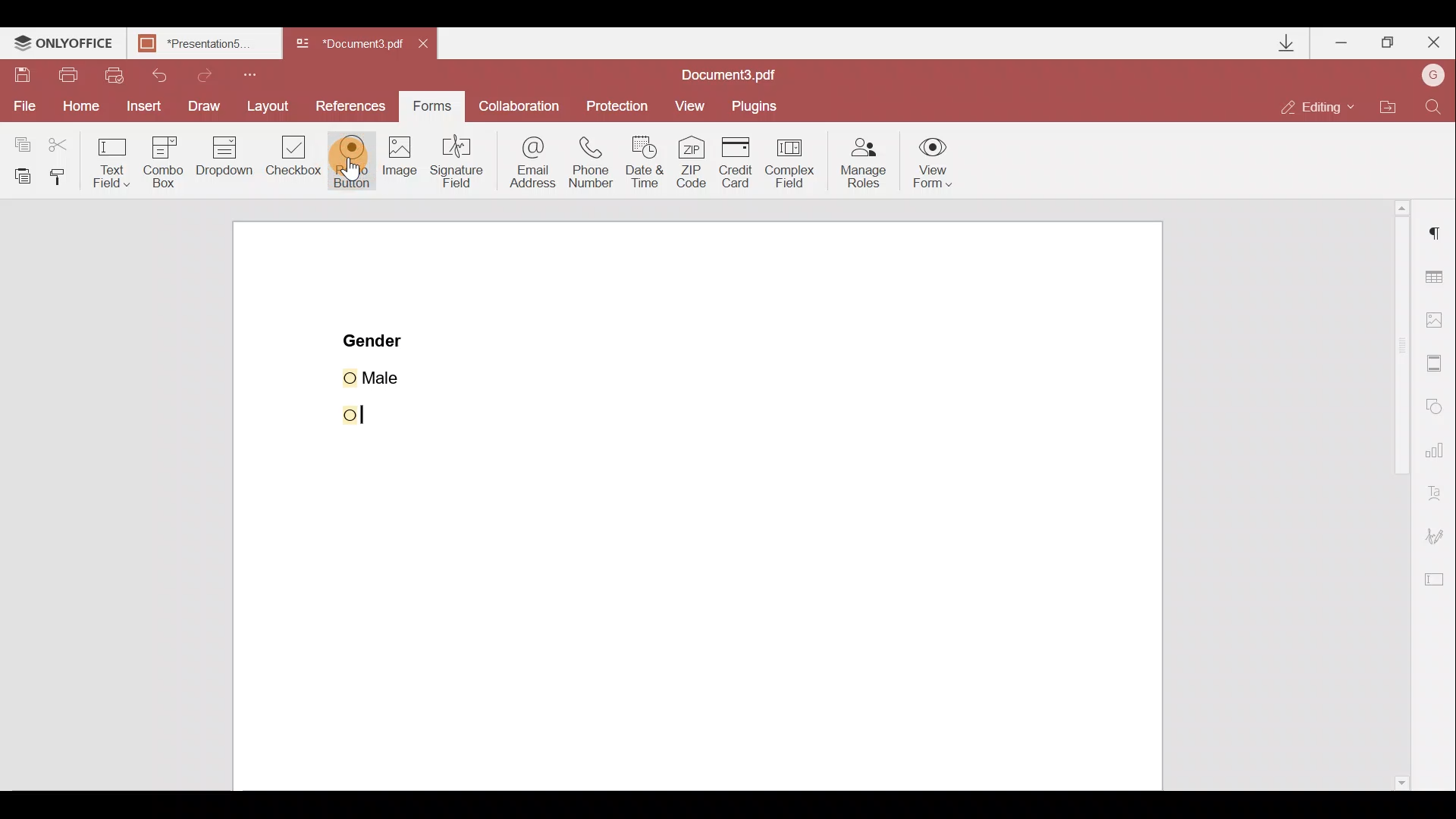 This screenshot has height=819, width=1456. I want to click on Table settings, so click(1437, 274).